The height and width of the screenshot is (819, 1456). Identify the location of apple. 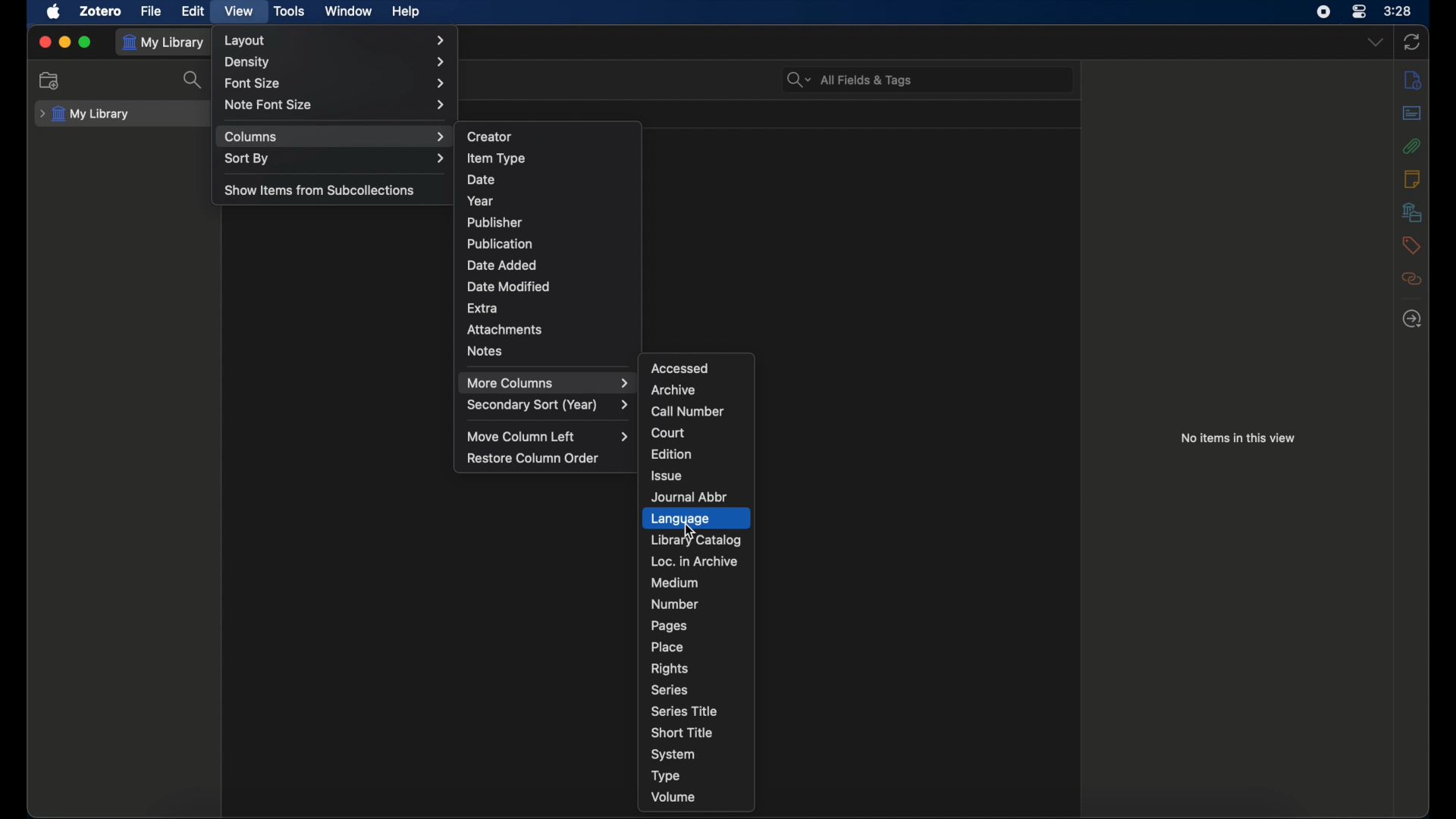
(54, 11).